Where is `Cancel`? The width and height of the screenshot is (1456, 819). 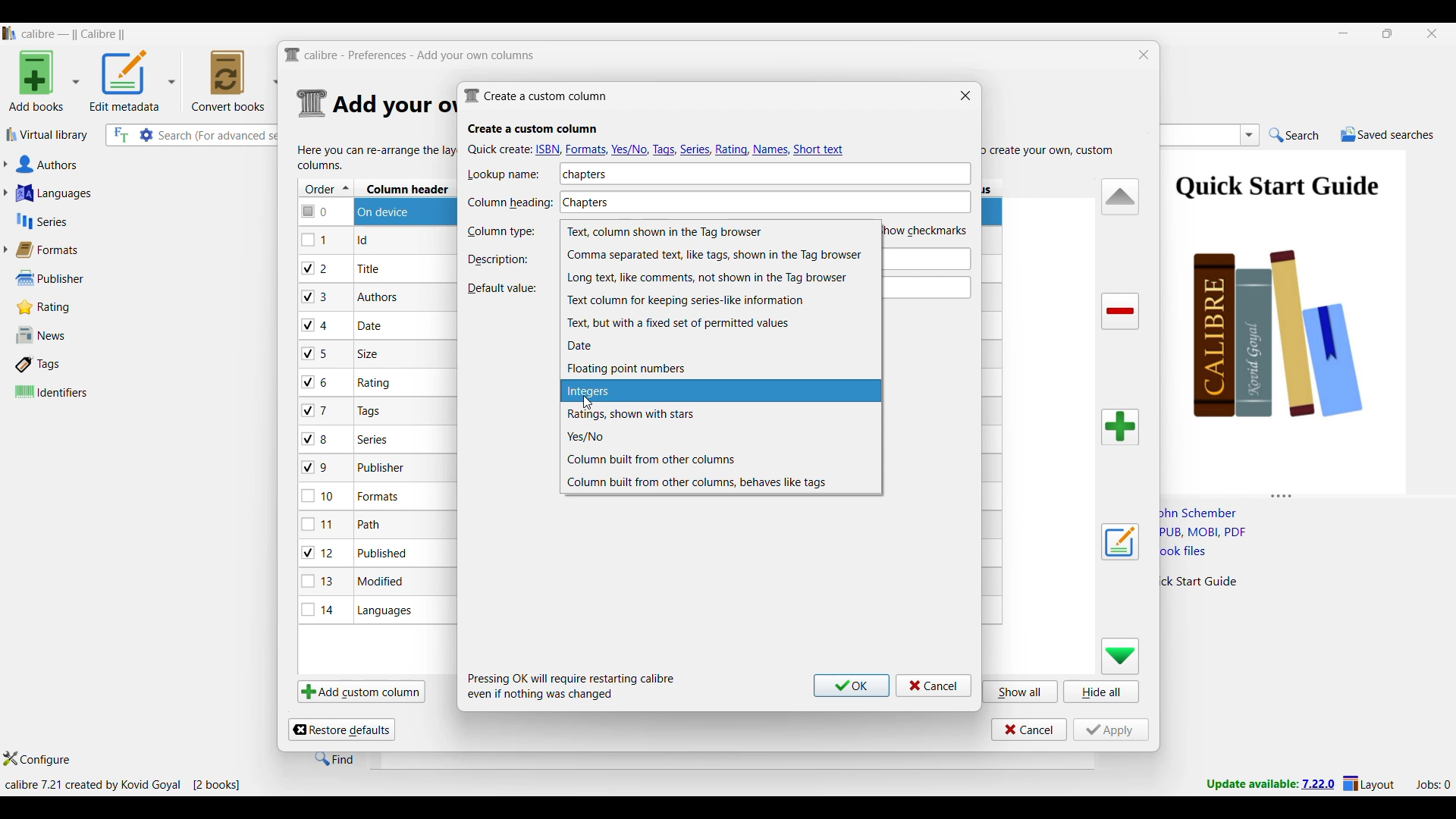 Cancel is located at coordinates (1029, 730).